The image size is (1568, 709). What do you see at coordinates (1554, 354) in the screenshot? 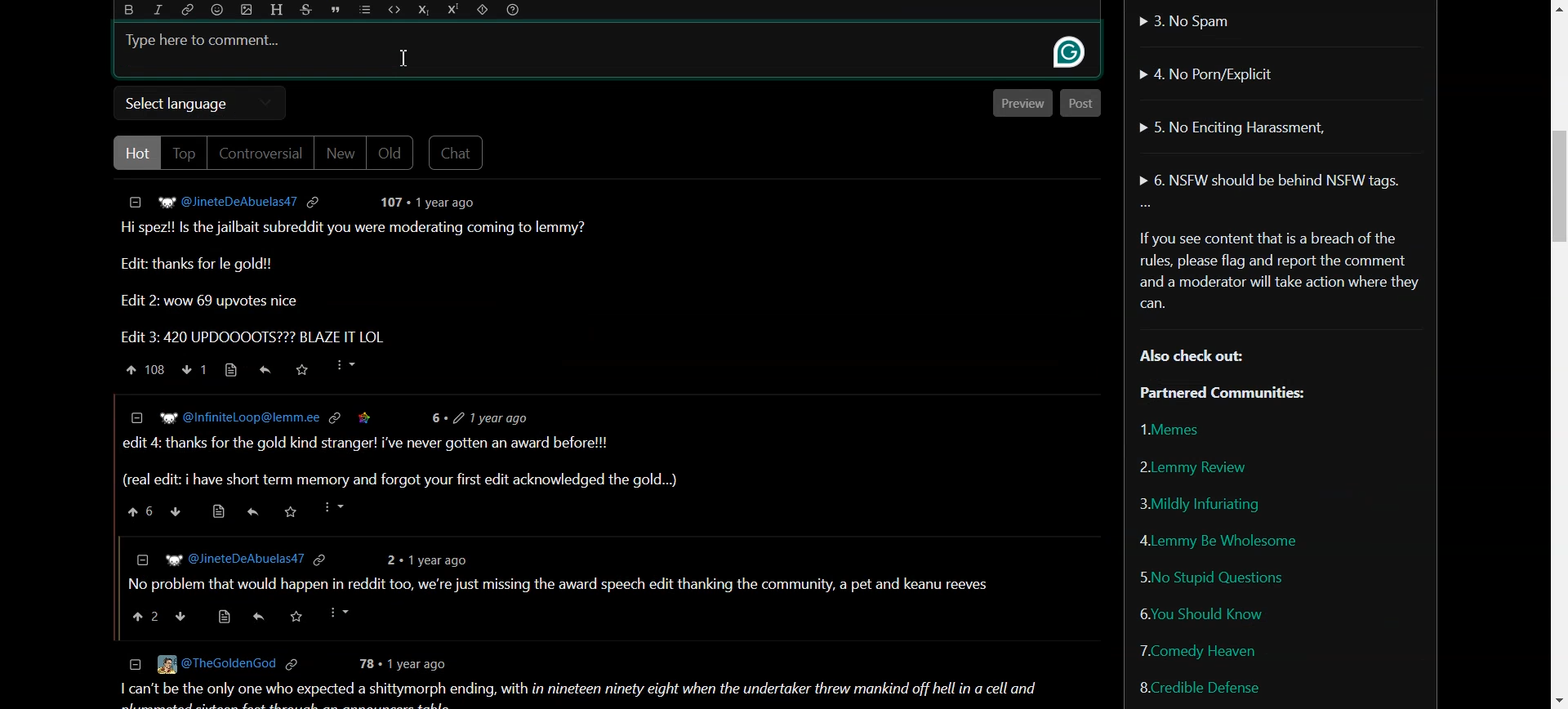
I see `Vertical Scroll bar` at bounding box center [1554, 354].